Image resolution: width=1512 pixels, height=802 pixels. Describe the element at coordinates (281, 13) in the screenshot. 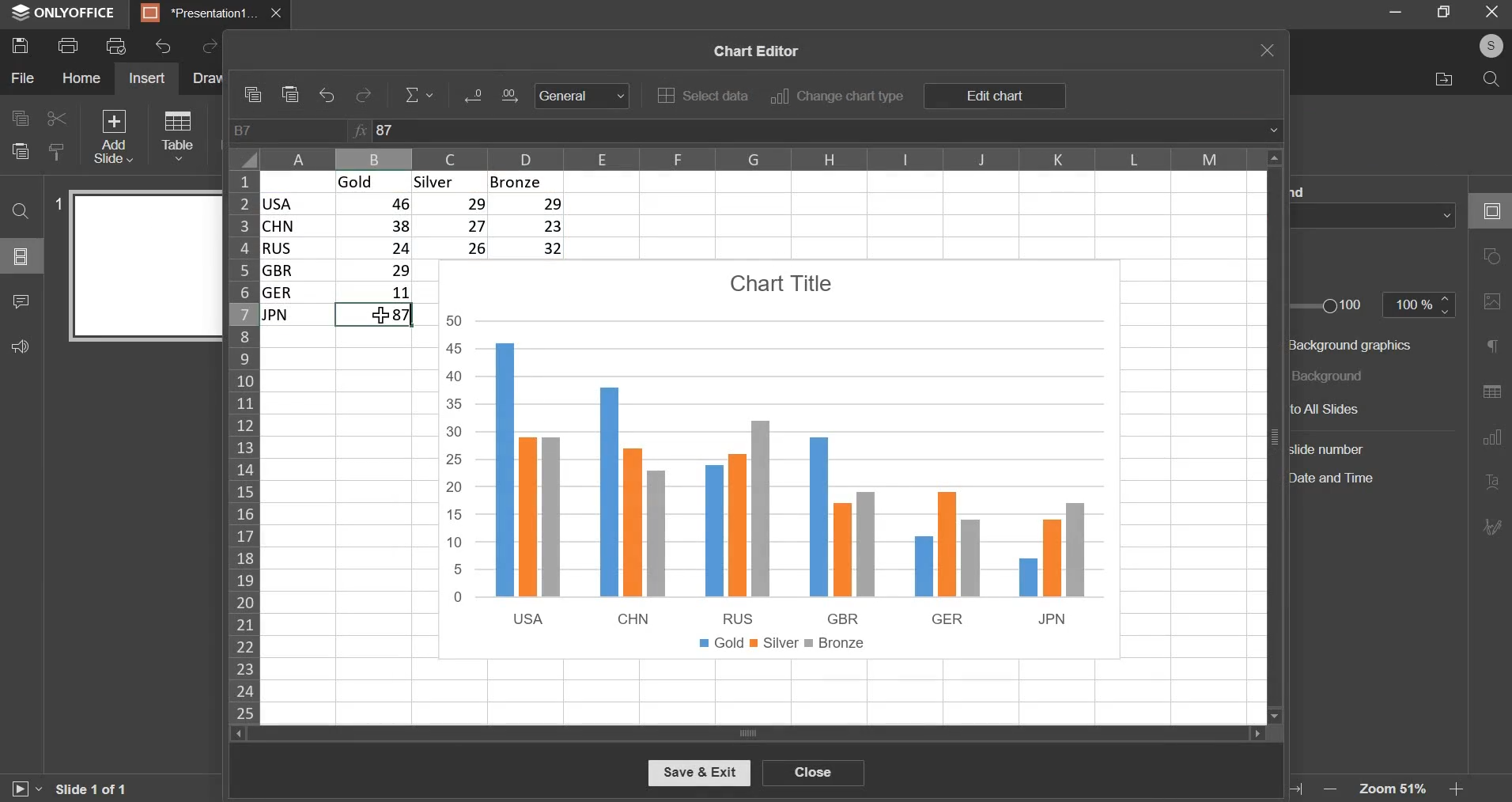

I see `close` at that location.